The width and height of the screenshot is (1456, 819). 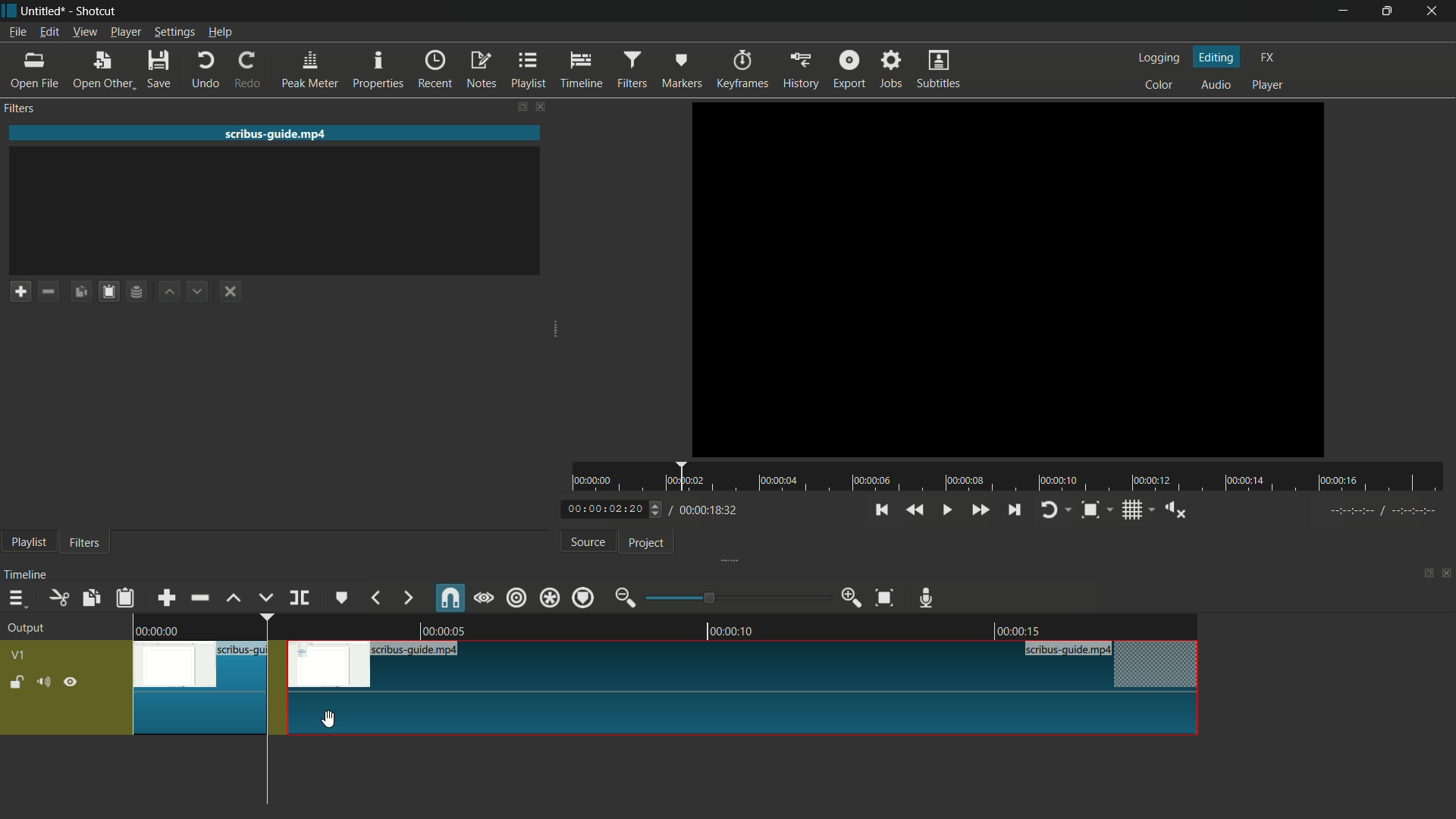 I want to click on v1, so click(x=19, y=655).